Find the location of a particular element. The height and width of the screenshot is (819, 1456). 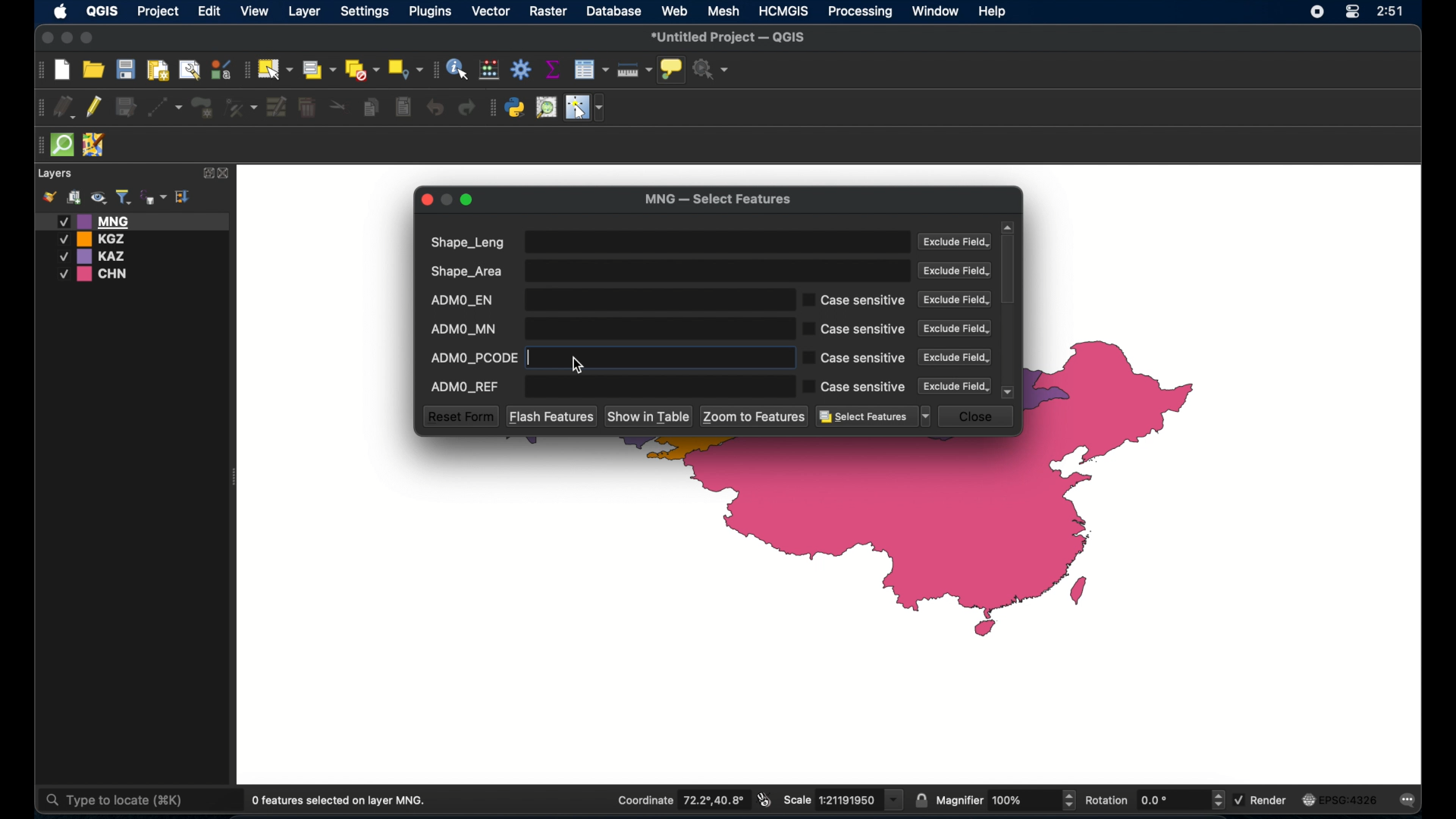

layers is located at coordinates (56, 174).